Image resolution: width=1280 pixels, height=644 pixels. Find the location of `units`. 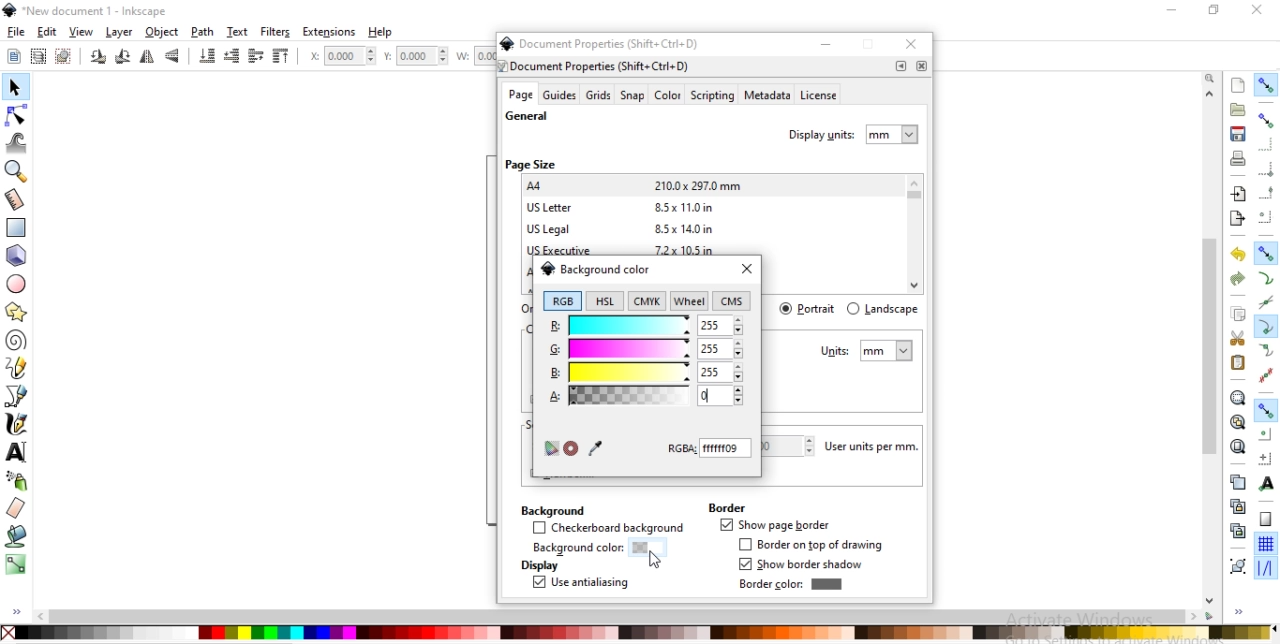

units is located at coordinates (867, 351).